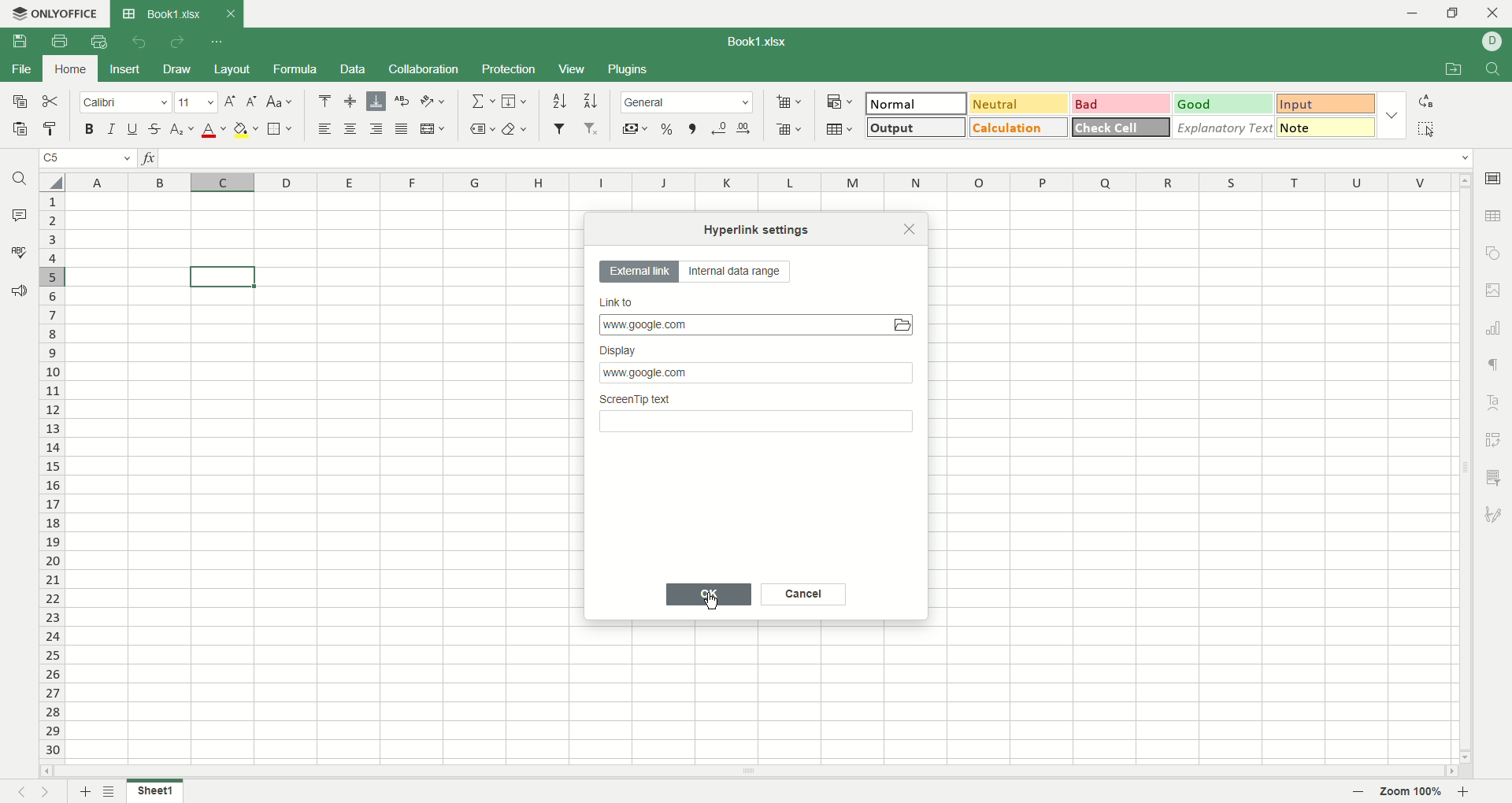 The width and height of the screenshot is (1512, 803). I want to click on display, so click(758, 366).